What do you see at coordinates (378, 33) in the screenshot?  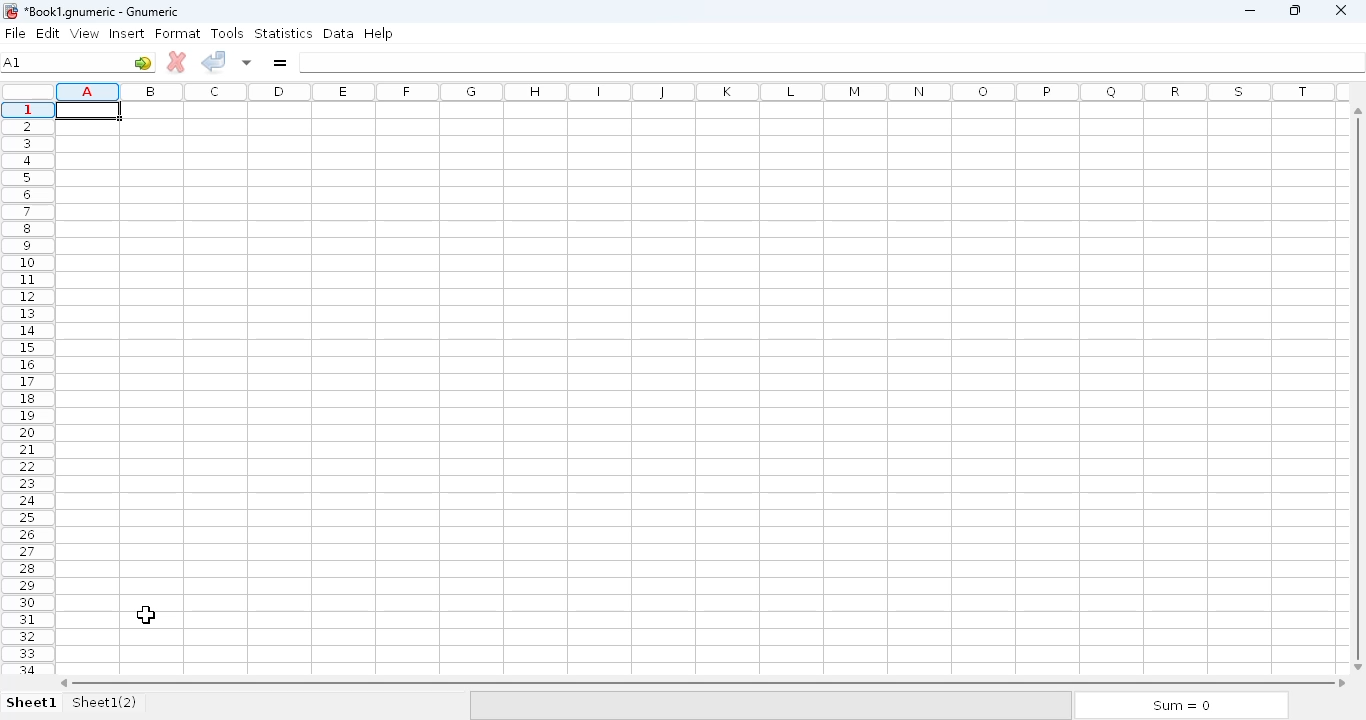 I see `help` at bounding box center [378, 33].